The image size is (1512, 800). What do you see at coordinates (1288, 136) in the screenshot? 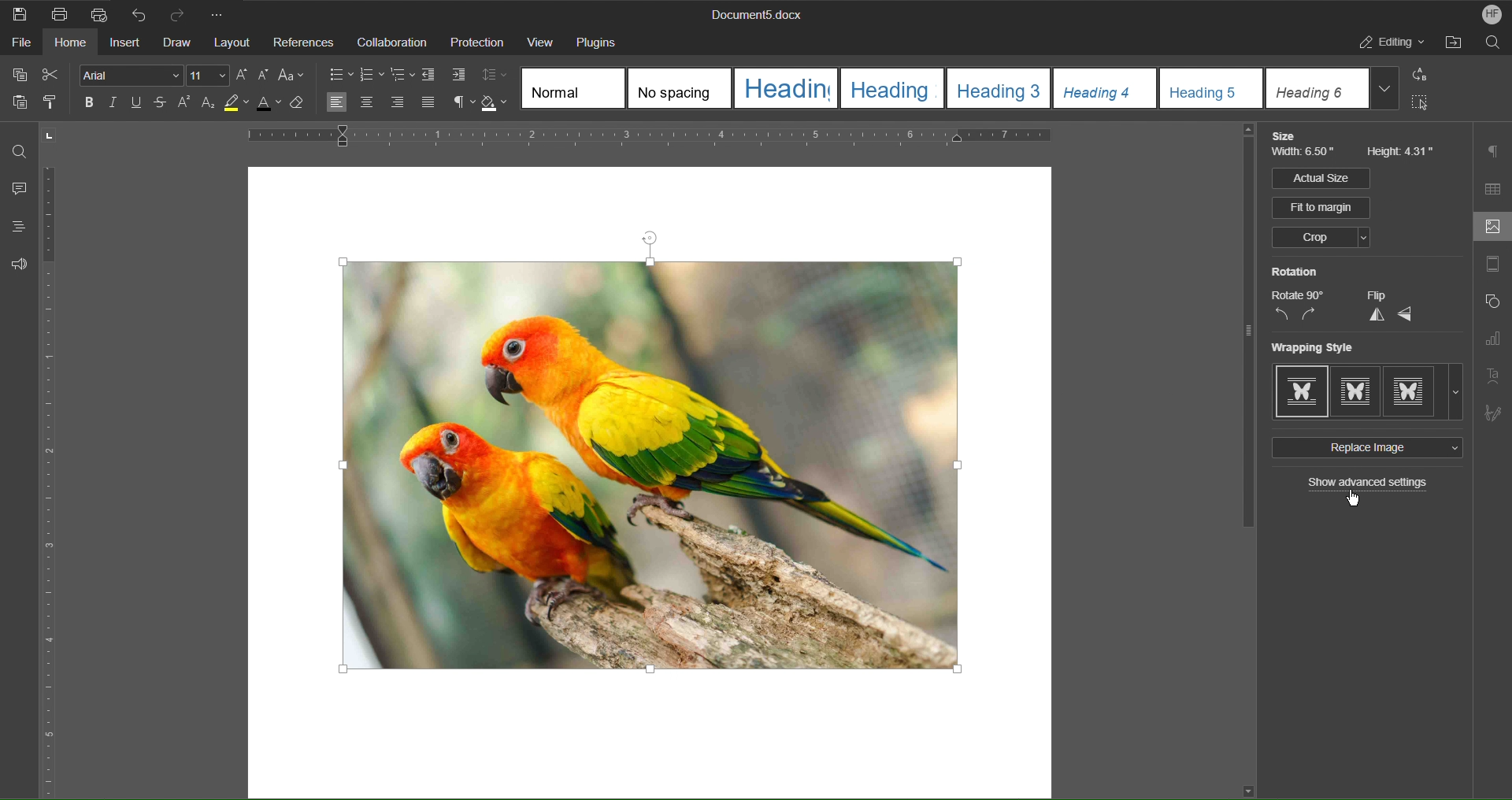
I see `Size` at bounding box center [1288, 136].